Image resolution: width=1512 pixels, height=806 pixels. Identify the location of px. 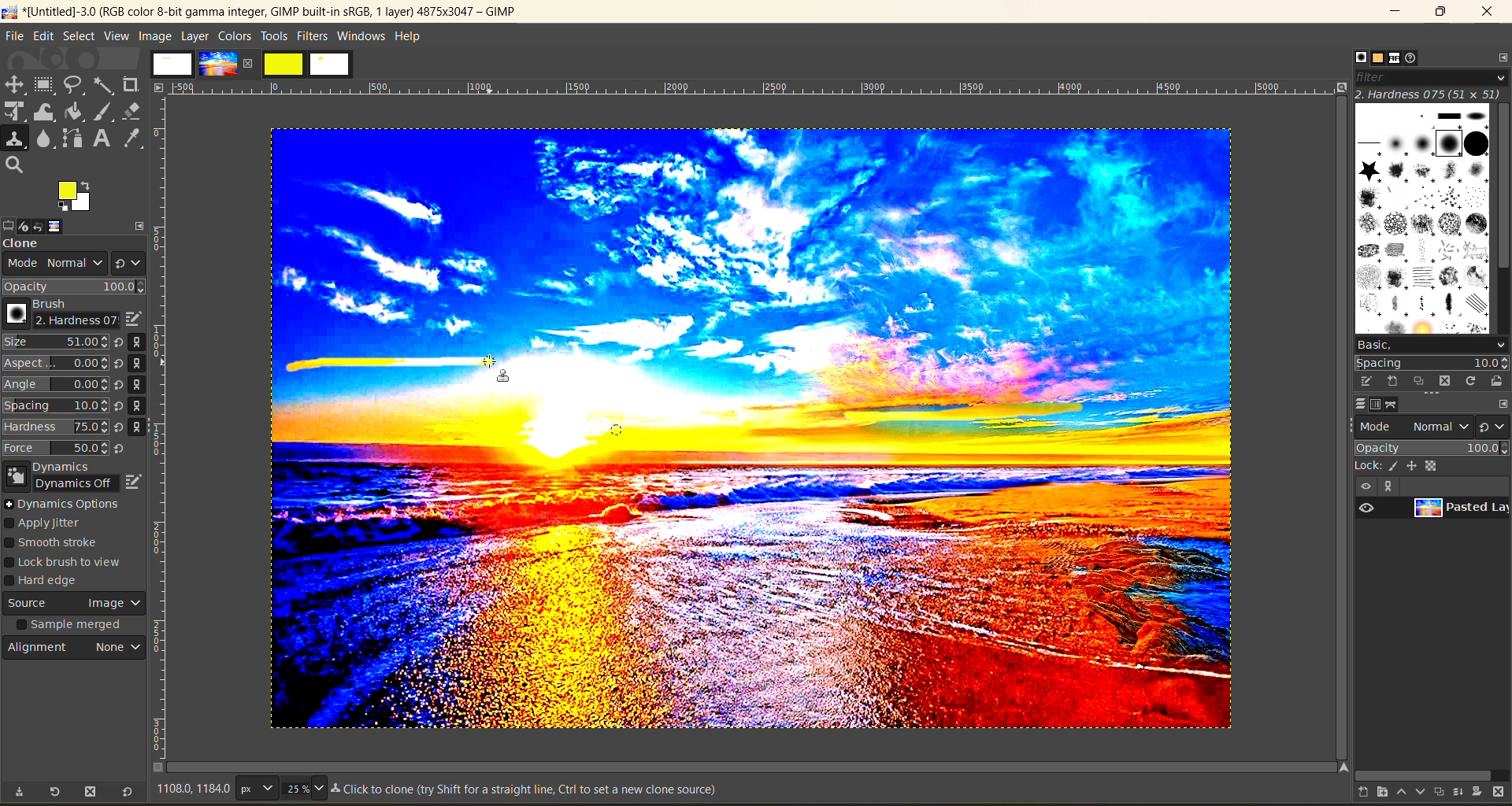
(254, 788).